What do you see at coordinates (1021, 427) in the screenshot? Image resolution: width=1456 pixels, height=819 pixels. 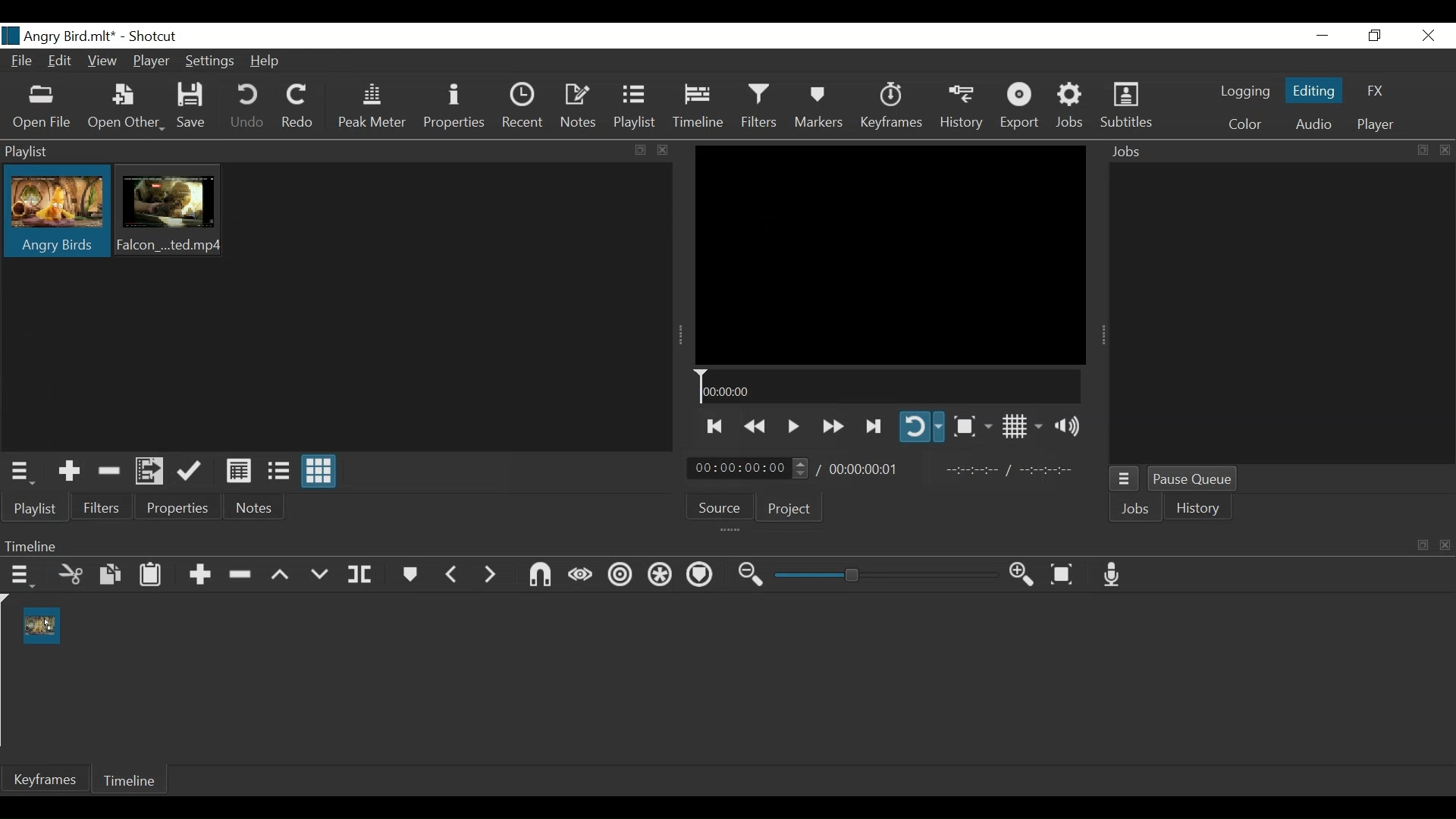 I see `Toggle display grid on player` at bounding box center [1021, 427].